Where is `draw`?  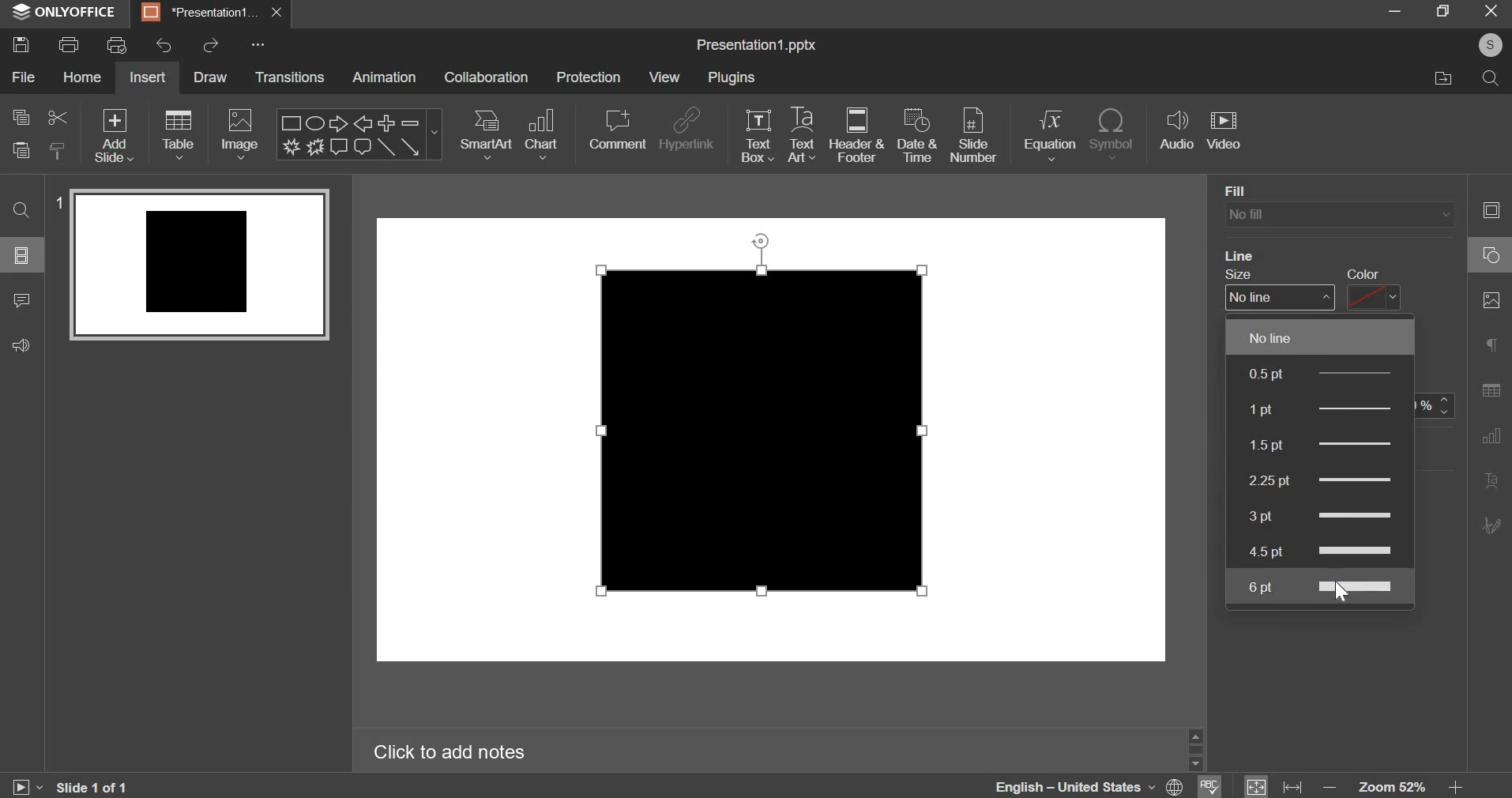
draw is located at coordinates (211, 79).